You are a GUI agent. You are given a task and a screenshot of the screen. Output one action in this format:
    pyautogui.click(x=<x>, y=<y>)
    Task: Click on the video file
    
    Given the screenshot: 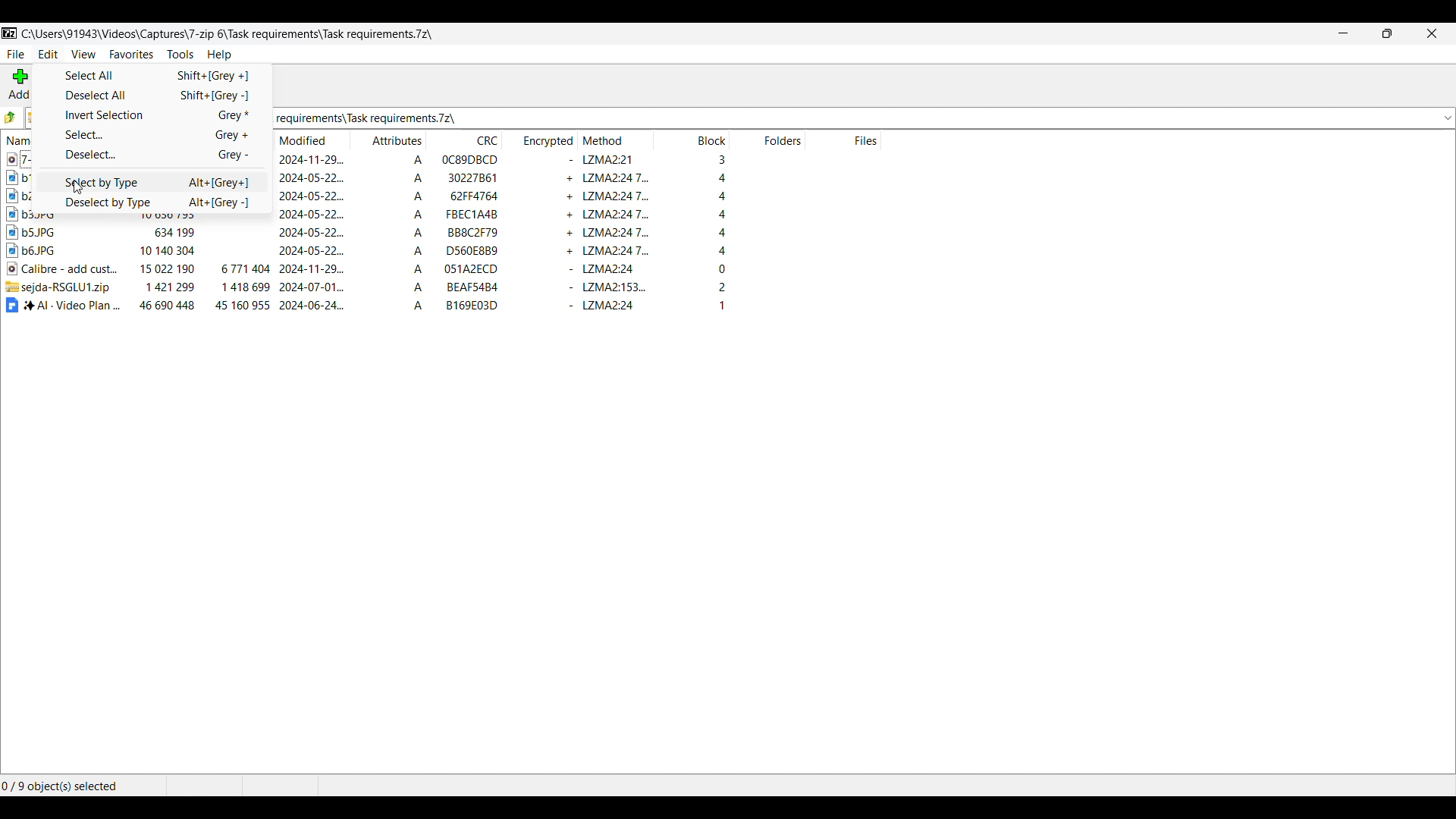 What is the action you would take?
    pyautogui.click(x=63, y=268)
    